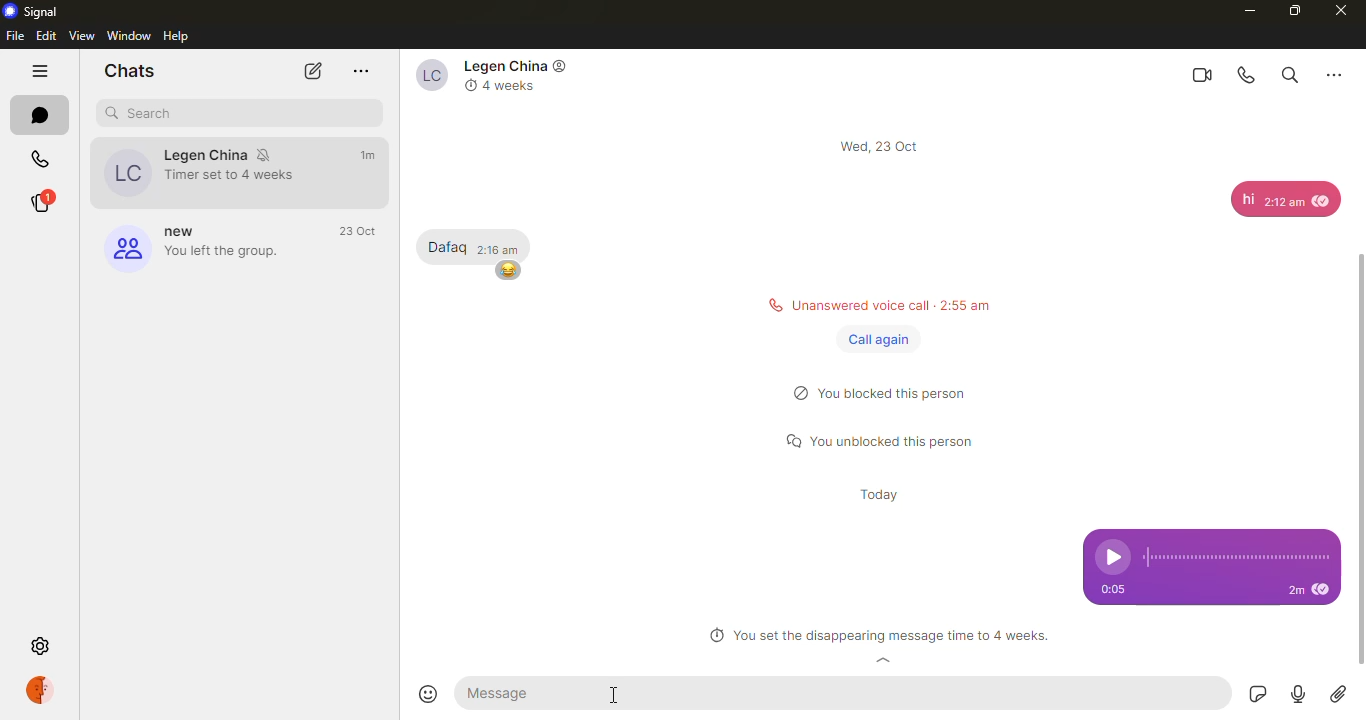 The image size is (1366, 720). What do you see at coordinates (1283, 205) in the screenshot?
I see `2:12 am` at bounding box center [1283, 205].